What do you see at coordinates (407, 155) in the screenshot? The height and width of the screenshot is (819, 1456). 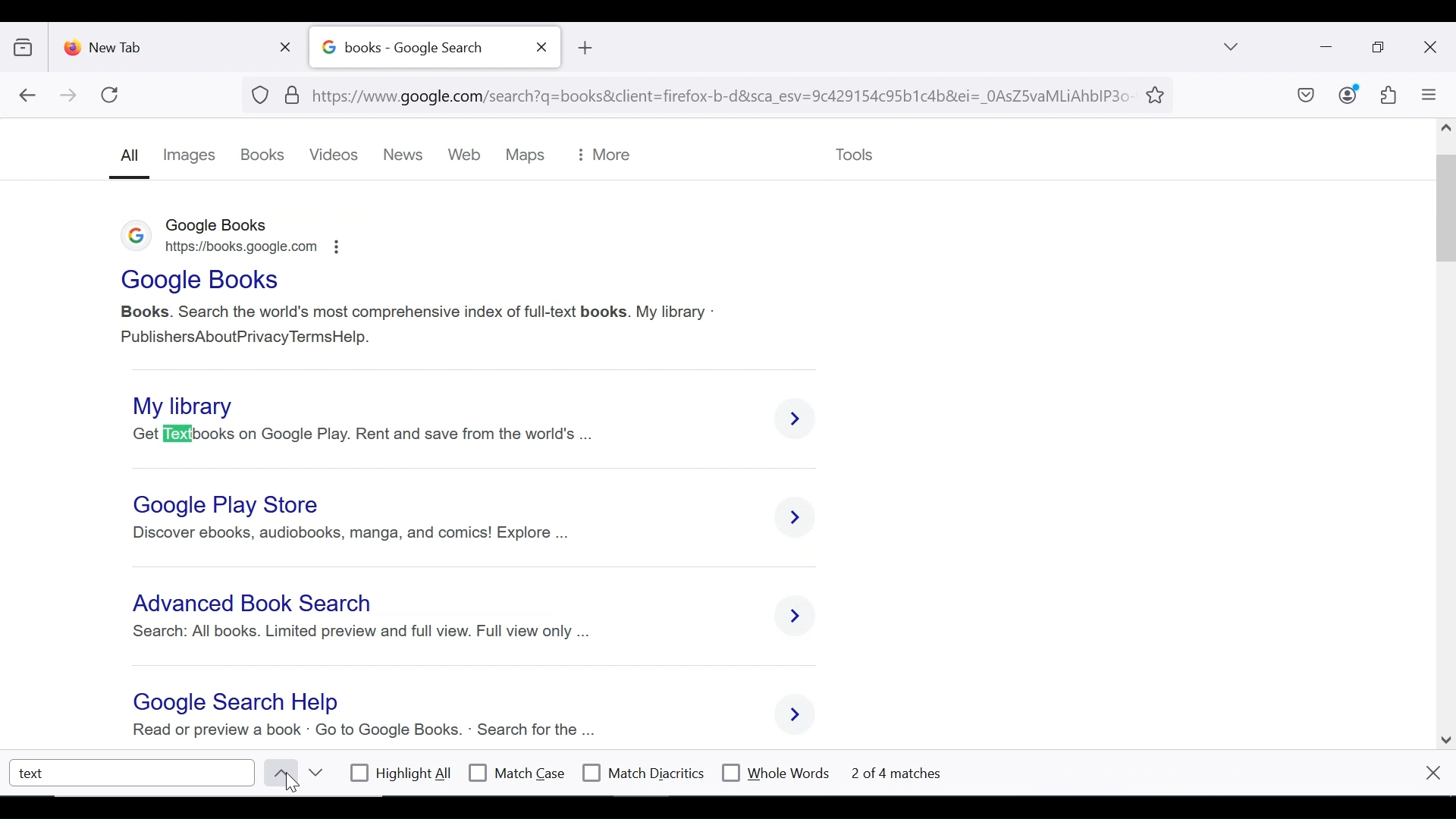 I see `new` at bounding box center [407, 155].